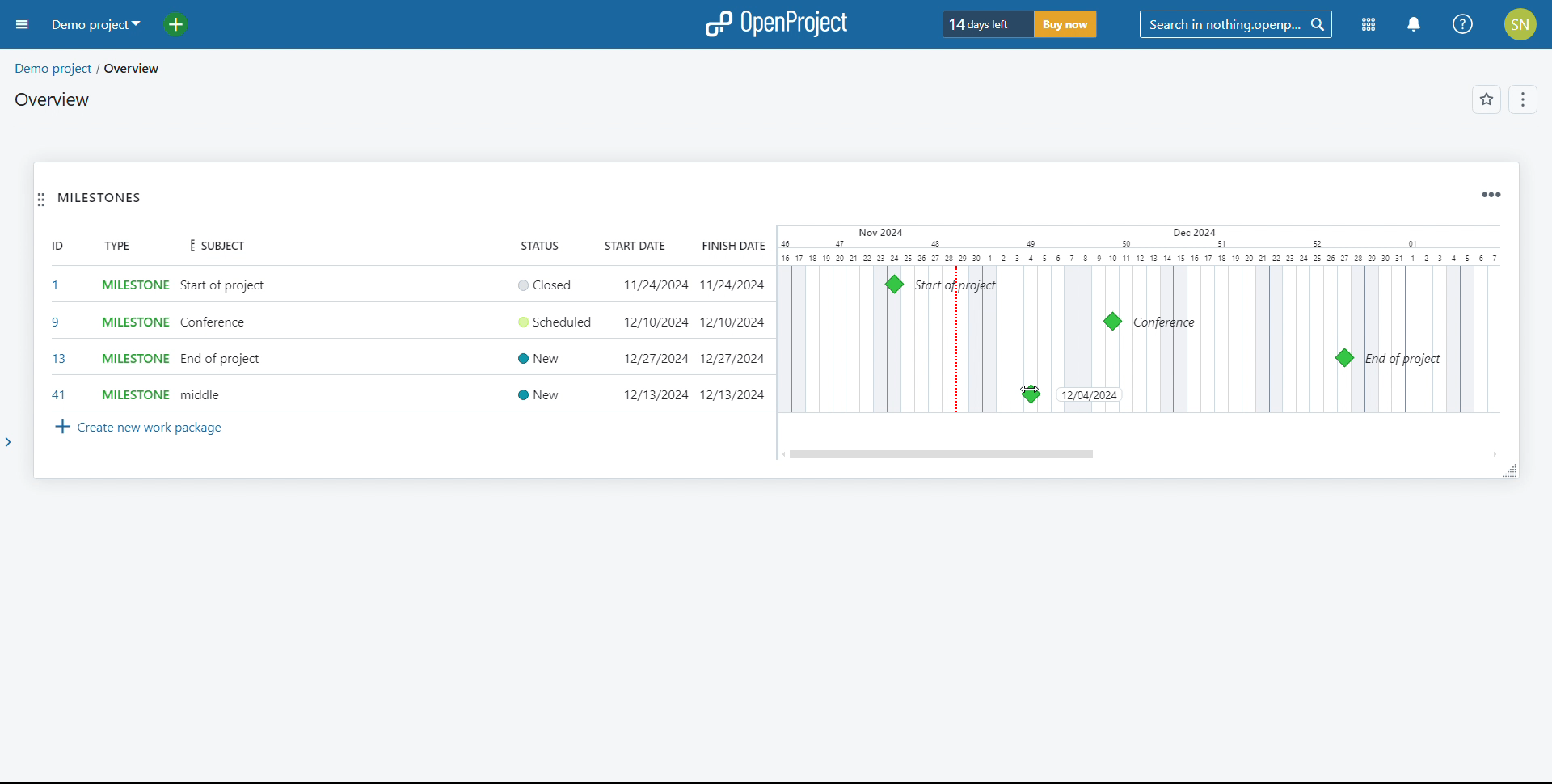 Image resolution: width=1552 pixels, height=784 pixels. Describe the element at coordinates (653, 341) in the screenshot. I see `set start date` at that location.